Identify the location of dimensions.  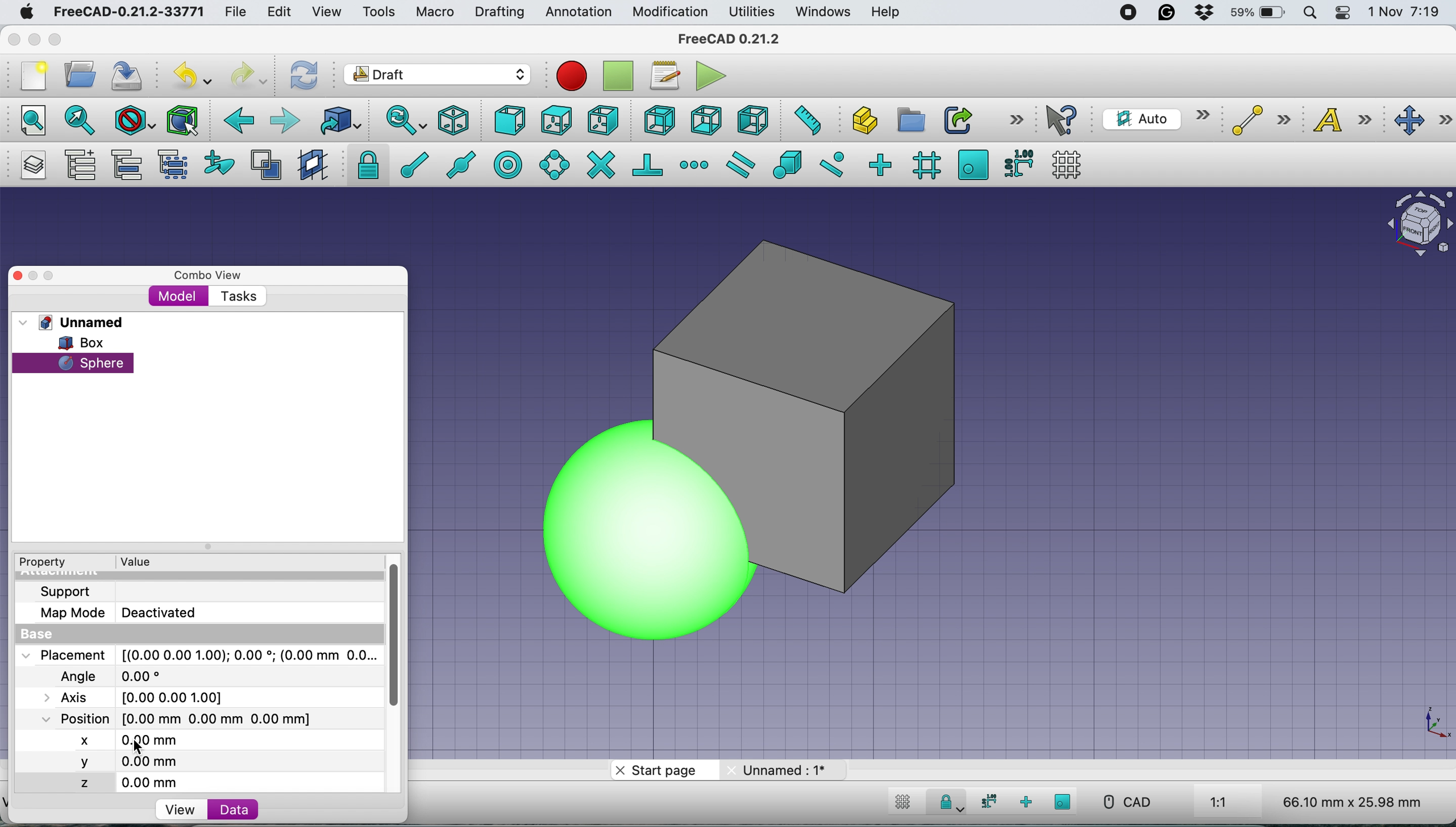
(1349, 801).